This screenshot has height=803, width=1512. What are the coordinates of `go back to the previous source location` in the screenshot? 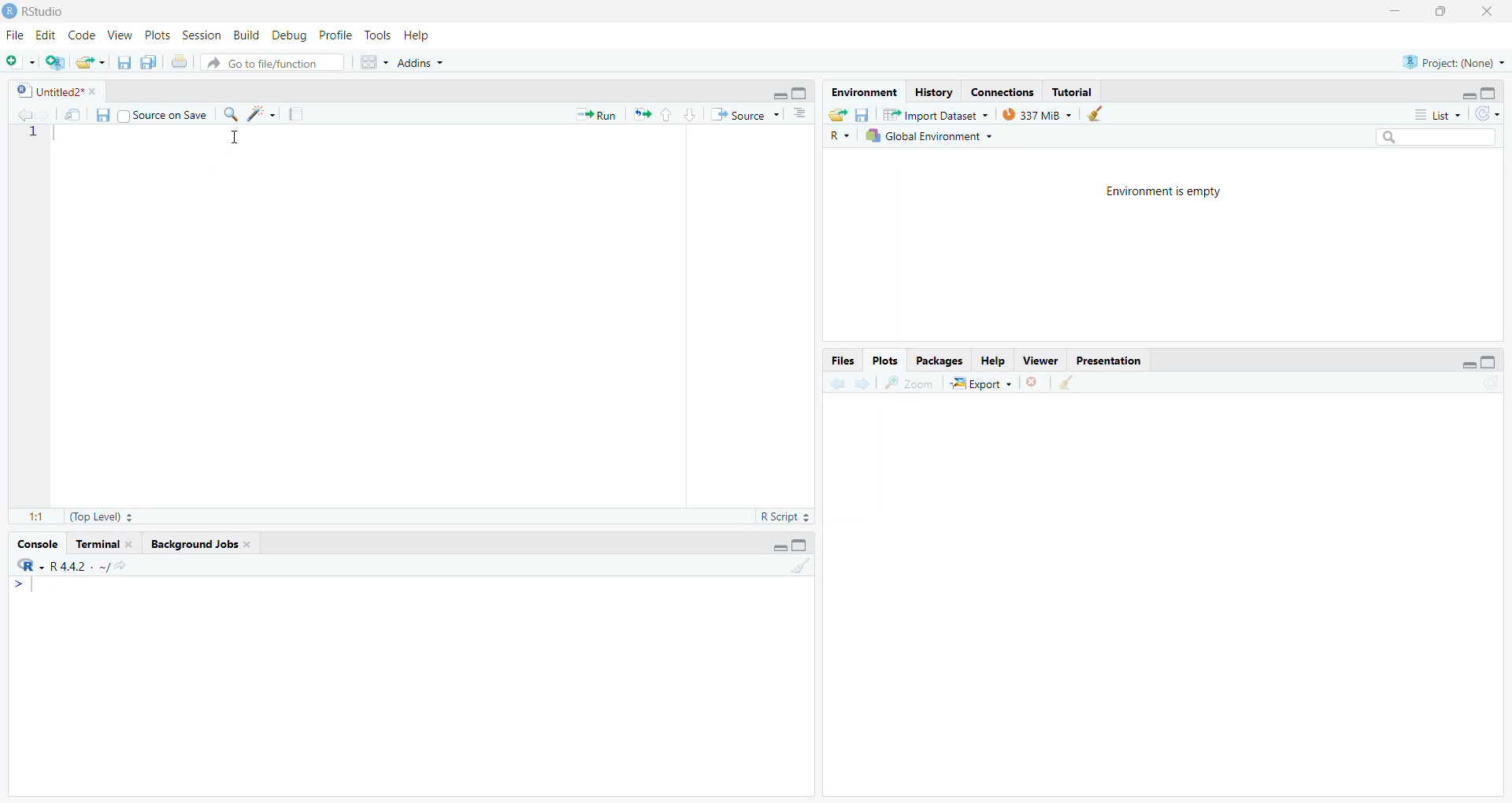 It's located at (25, 113).